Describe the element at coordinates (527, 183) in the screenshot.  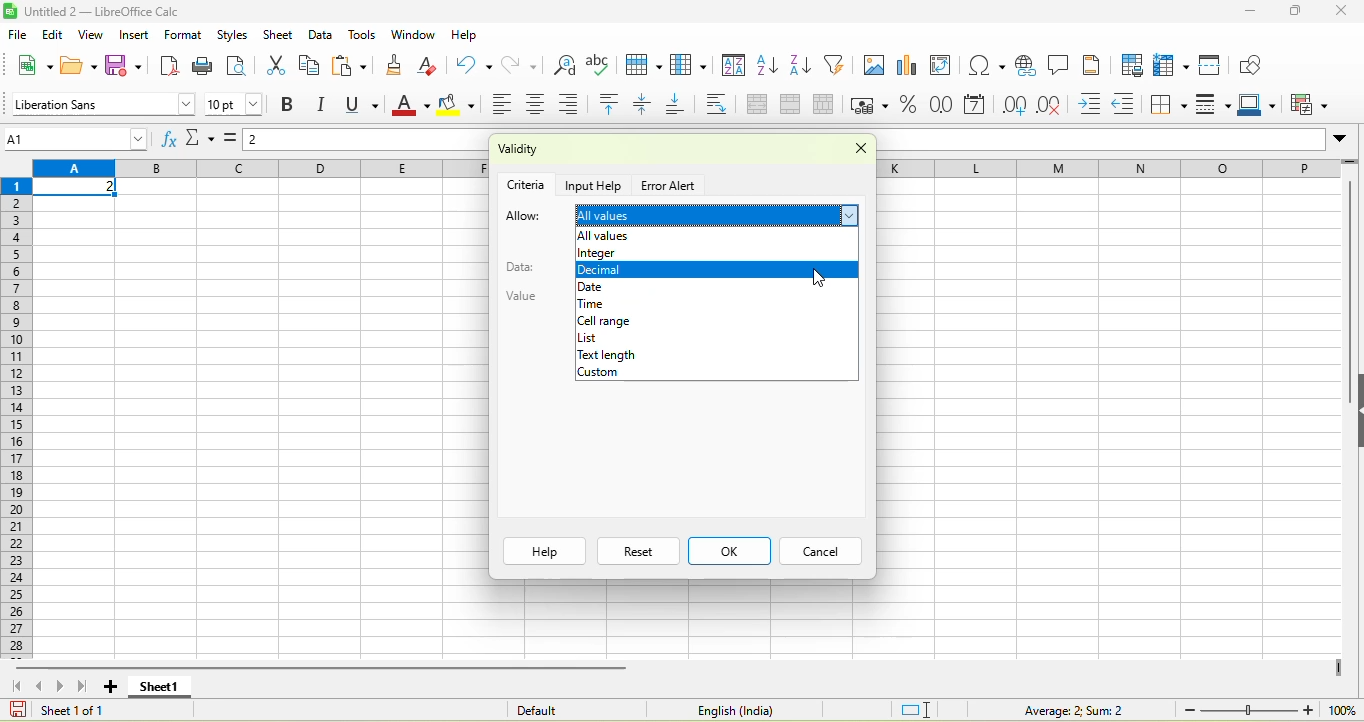
I see `criteria` at that location.